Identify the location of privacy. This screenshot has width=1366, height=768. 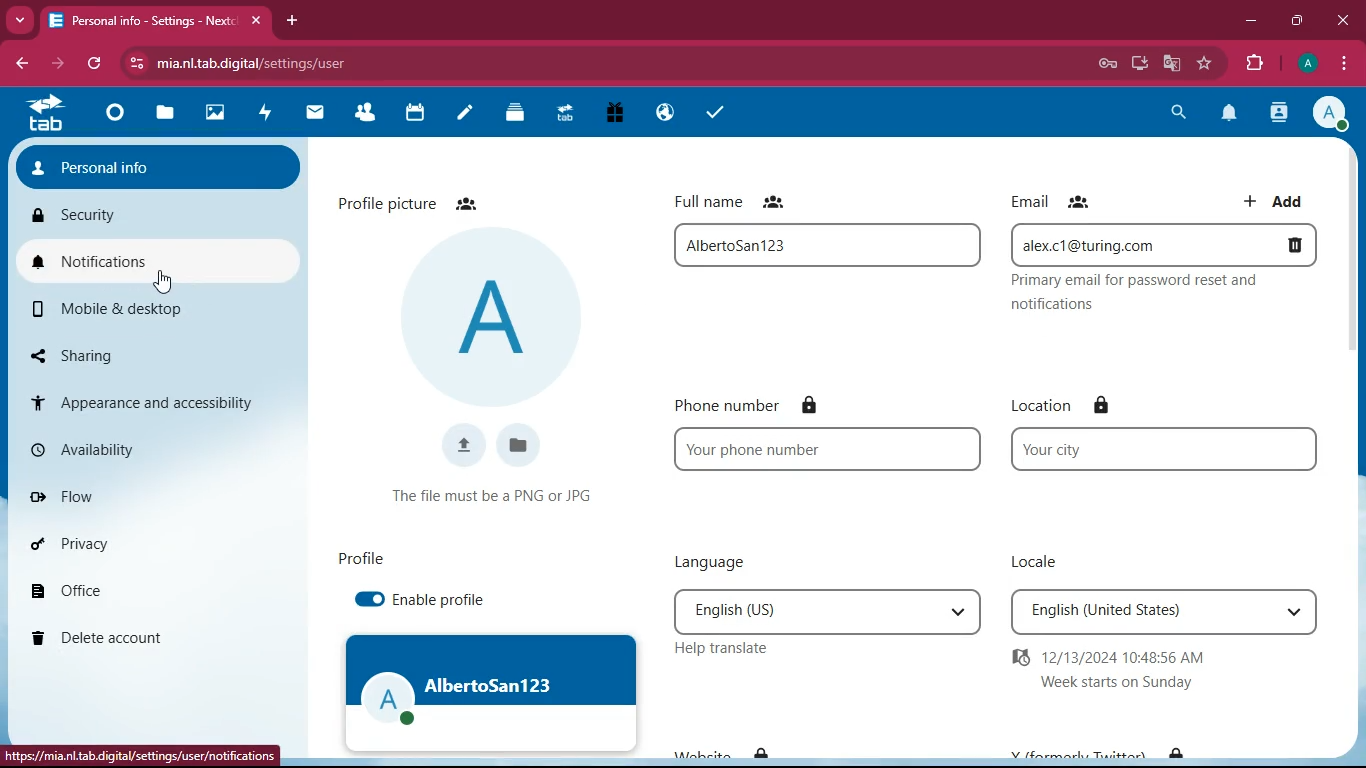
(155, 539).